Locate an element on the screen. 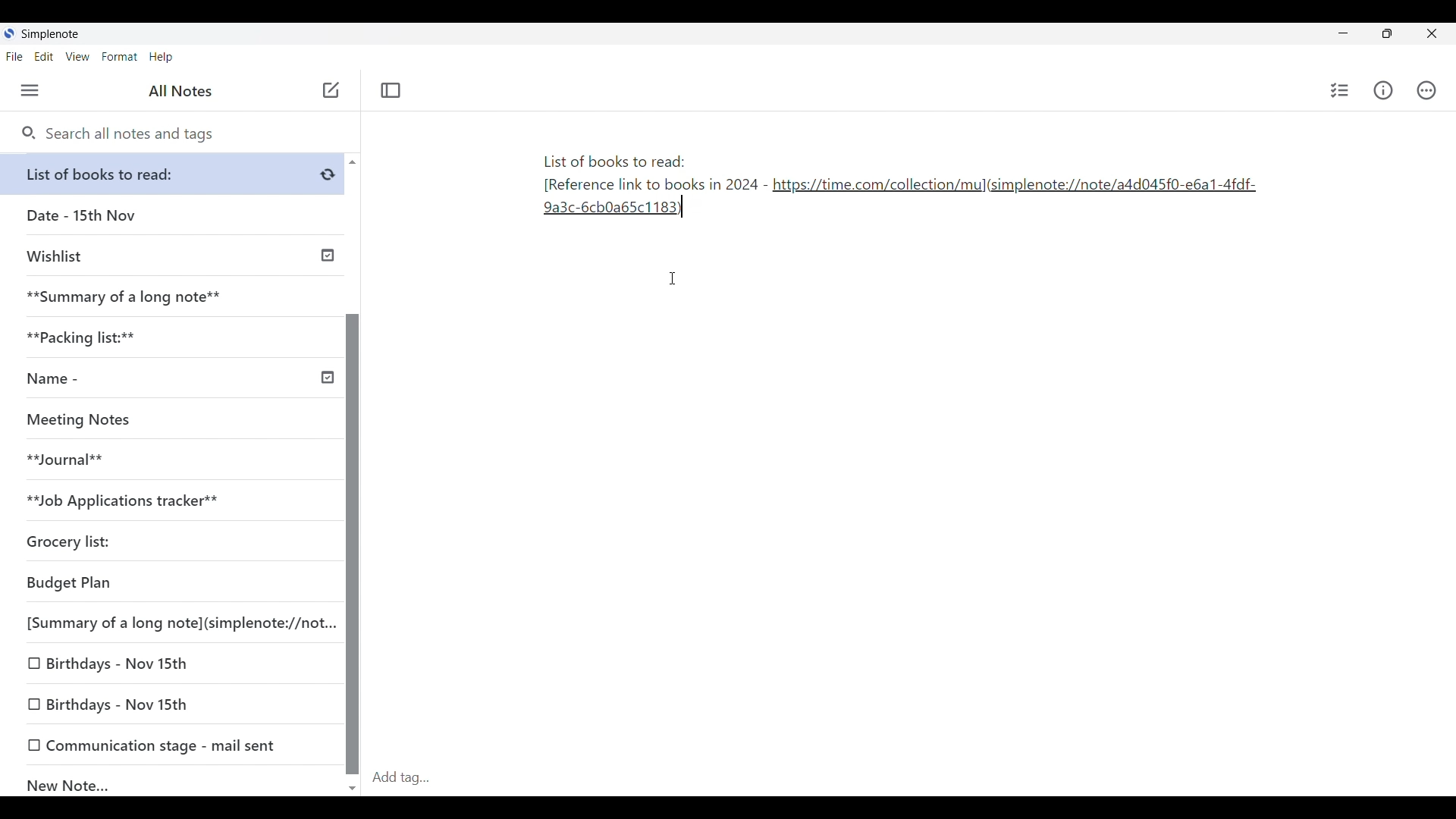  Edit is located at coordinates (44, 57).